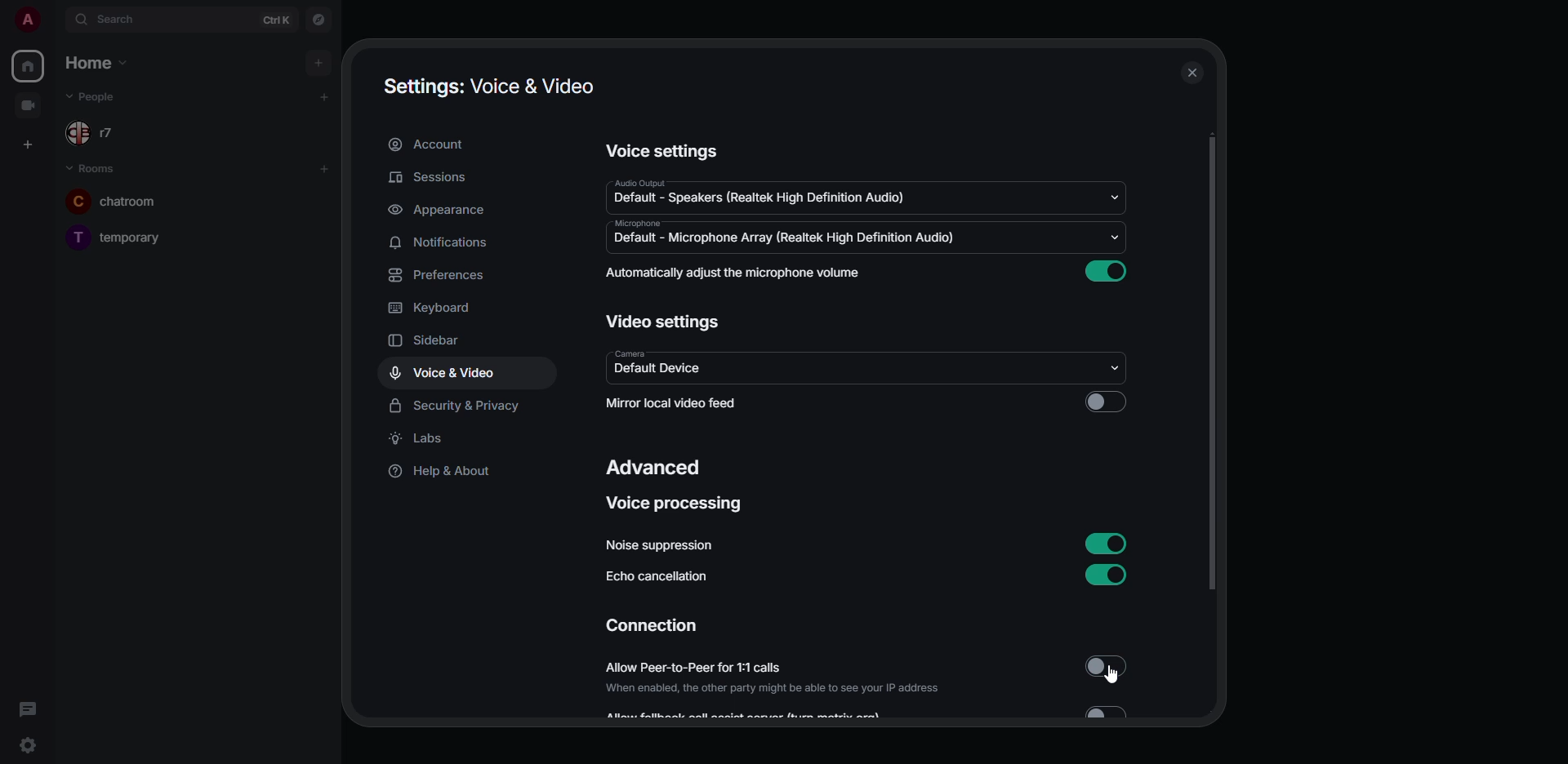  I want to click on ctrl K, so click(278, 19).